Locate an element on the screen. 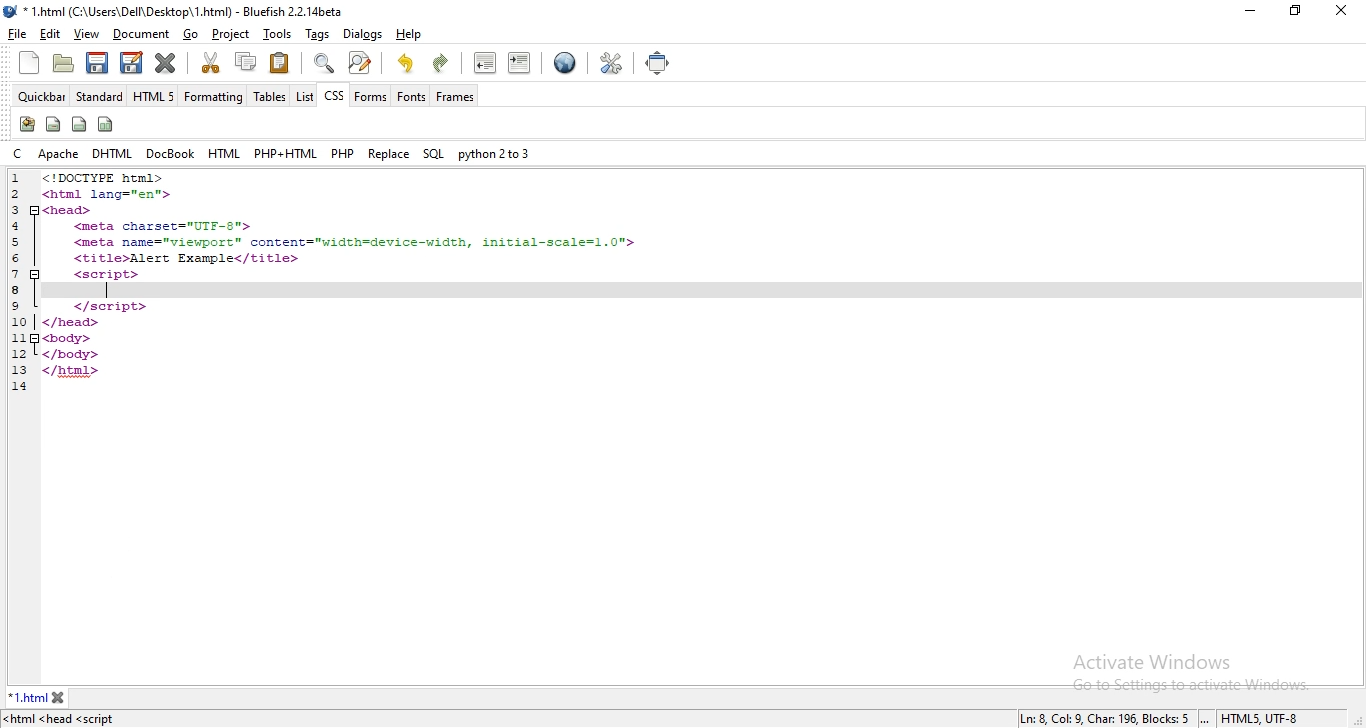 The width and height of the screenshot is (1366, 728). html is located at coordinates (219, 152).